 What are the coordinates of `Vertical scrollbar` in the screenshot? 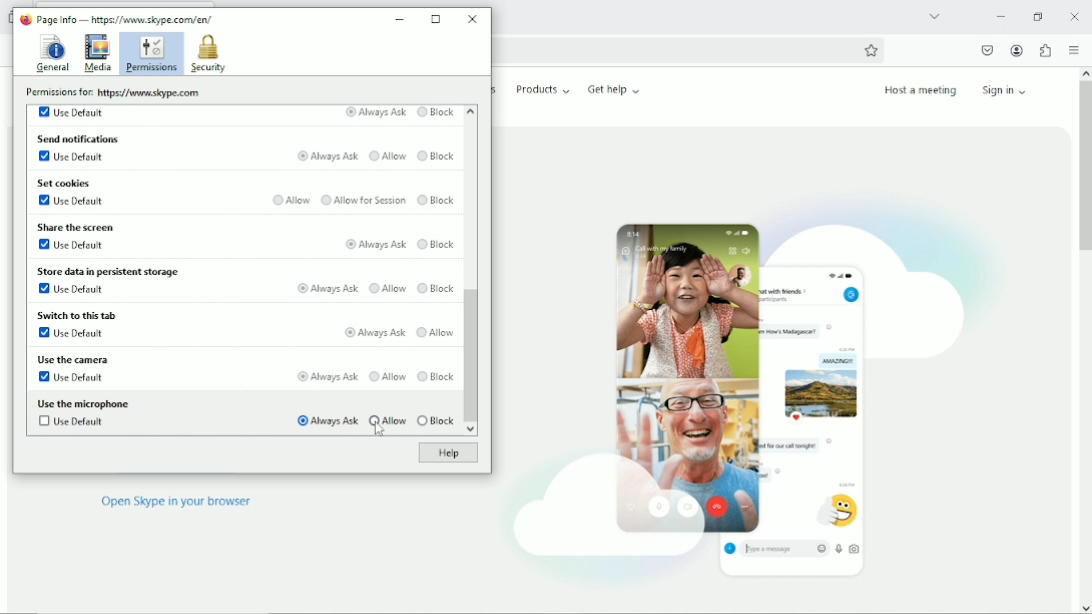 It's located at (471, 356).